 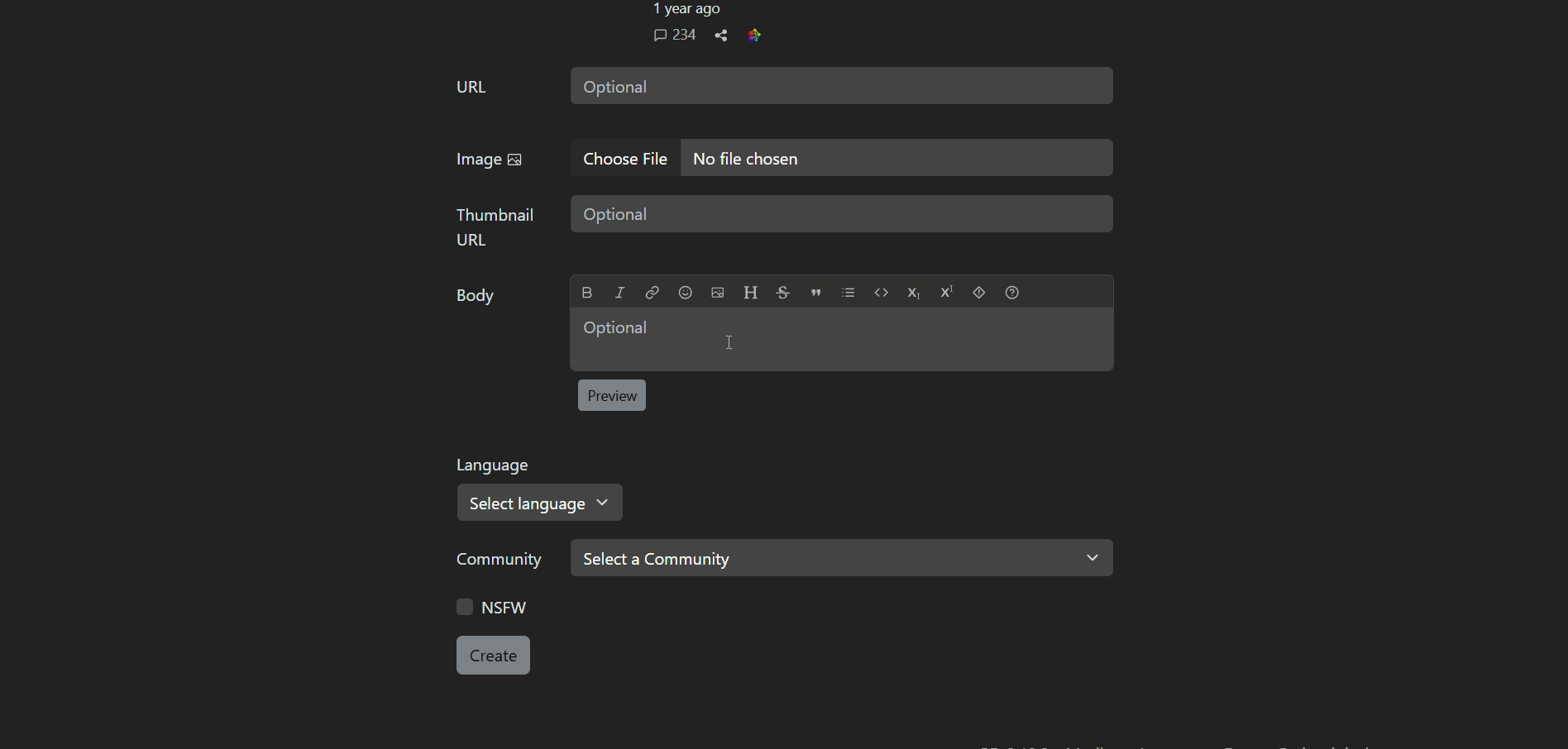 I want to click on Upload image, so click(x=717, y=293).